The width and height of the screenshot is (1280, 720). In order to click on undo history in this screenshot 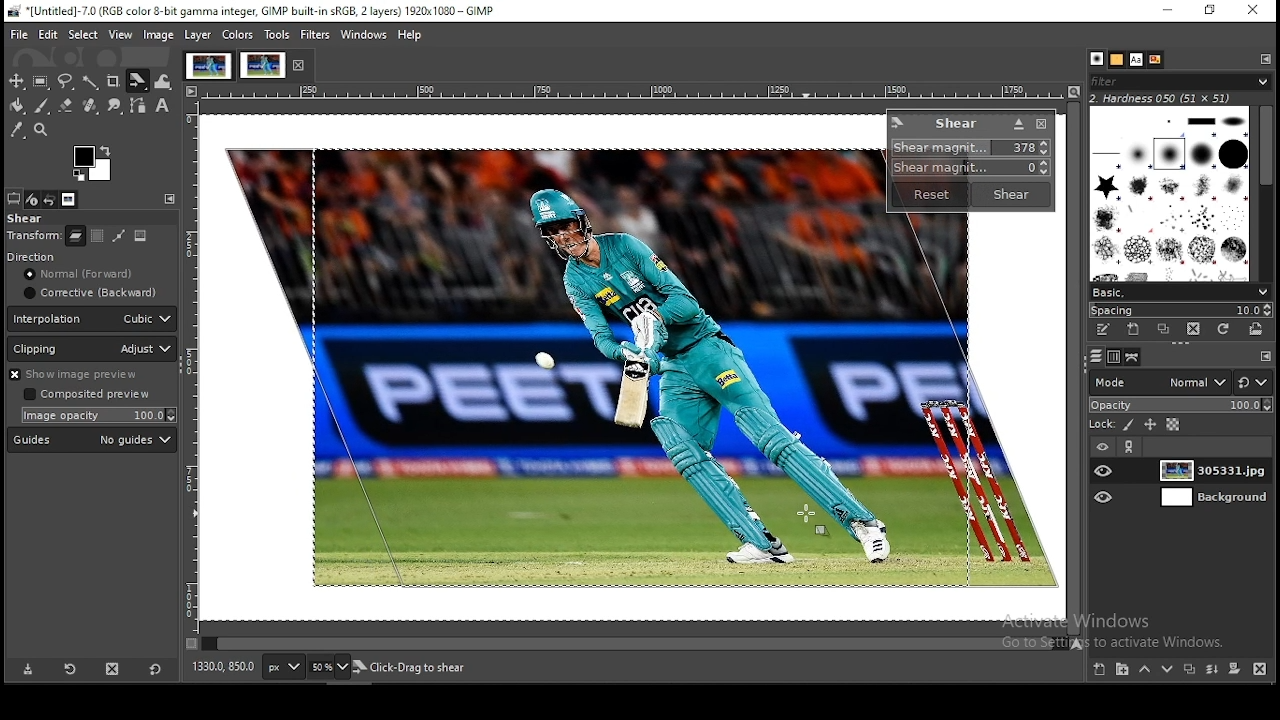, I will do `click(52, 199)`.